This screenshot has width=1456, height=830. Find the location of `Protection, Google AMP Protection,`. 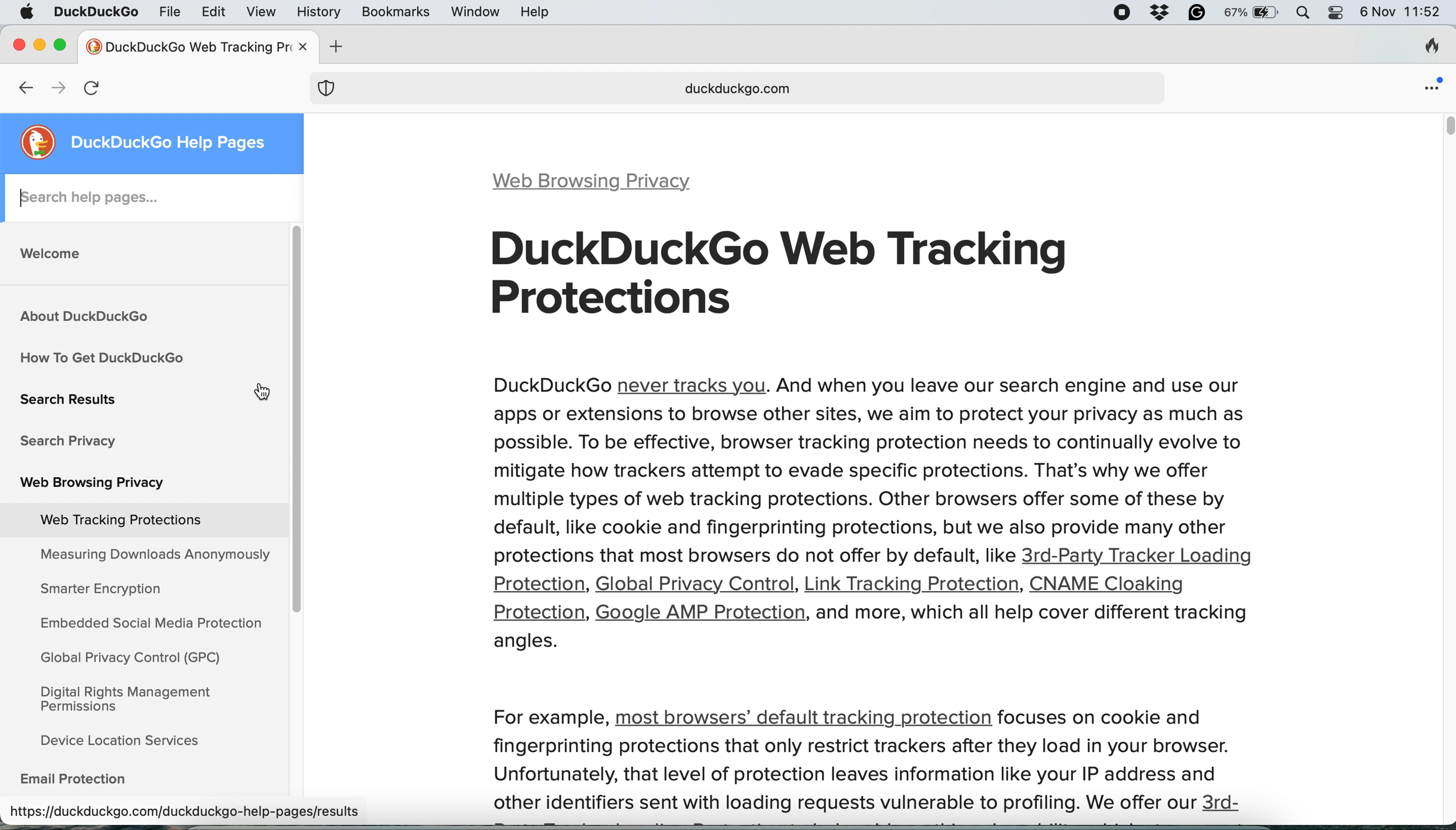

Protection, Google AMP Protection, is located at coordinates (644, 615).